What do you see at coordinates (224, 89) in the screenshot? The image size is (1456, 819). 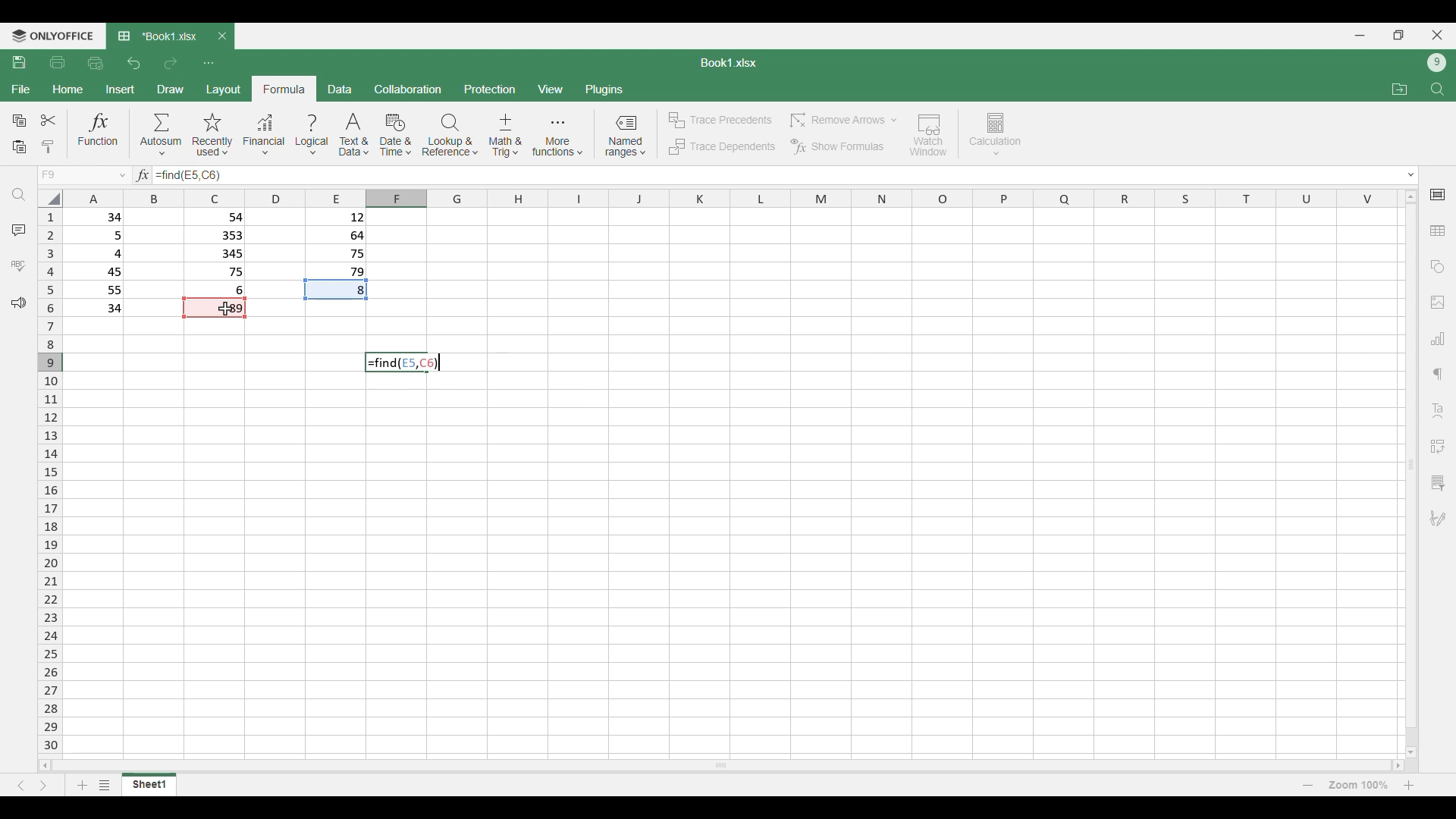 I see `Layout menu` at bounding box center [224, 89].